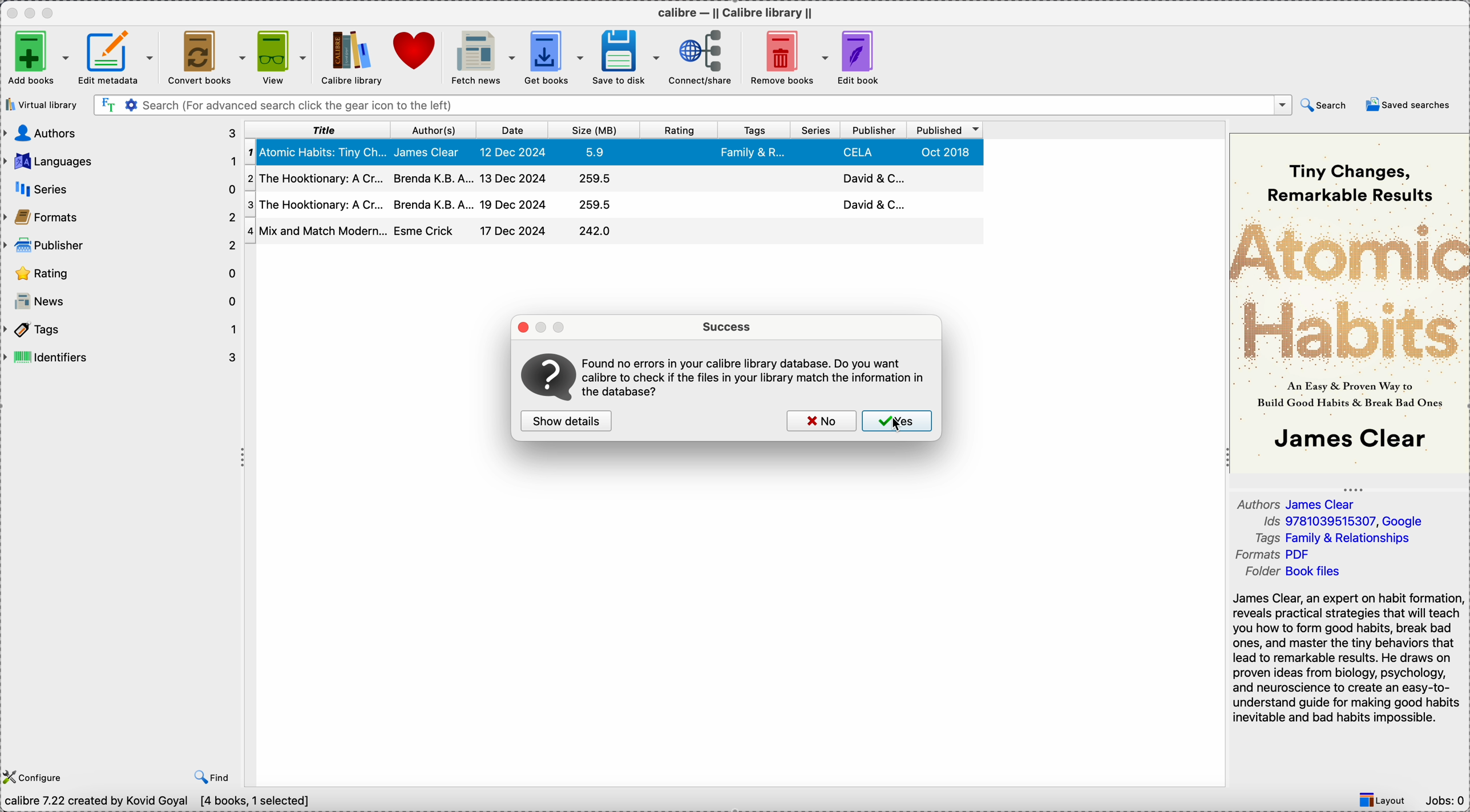 The image size is (1470, 812). Describe the element at coordinates (671, 106) in the screenshot. I see `search bar` at that location.